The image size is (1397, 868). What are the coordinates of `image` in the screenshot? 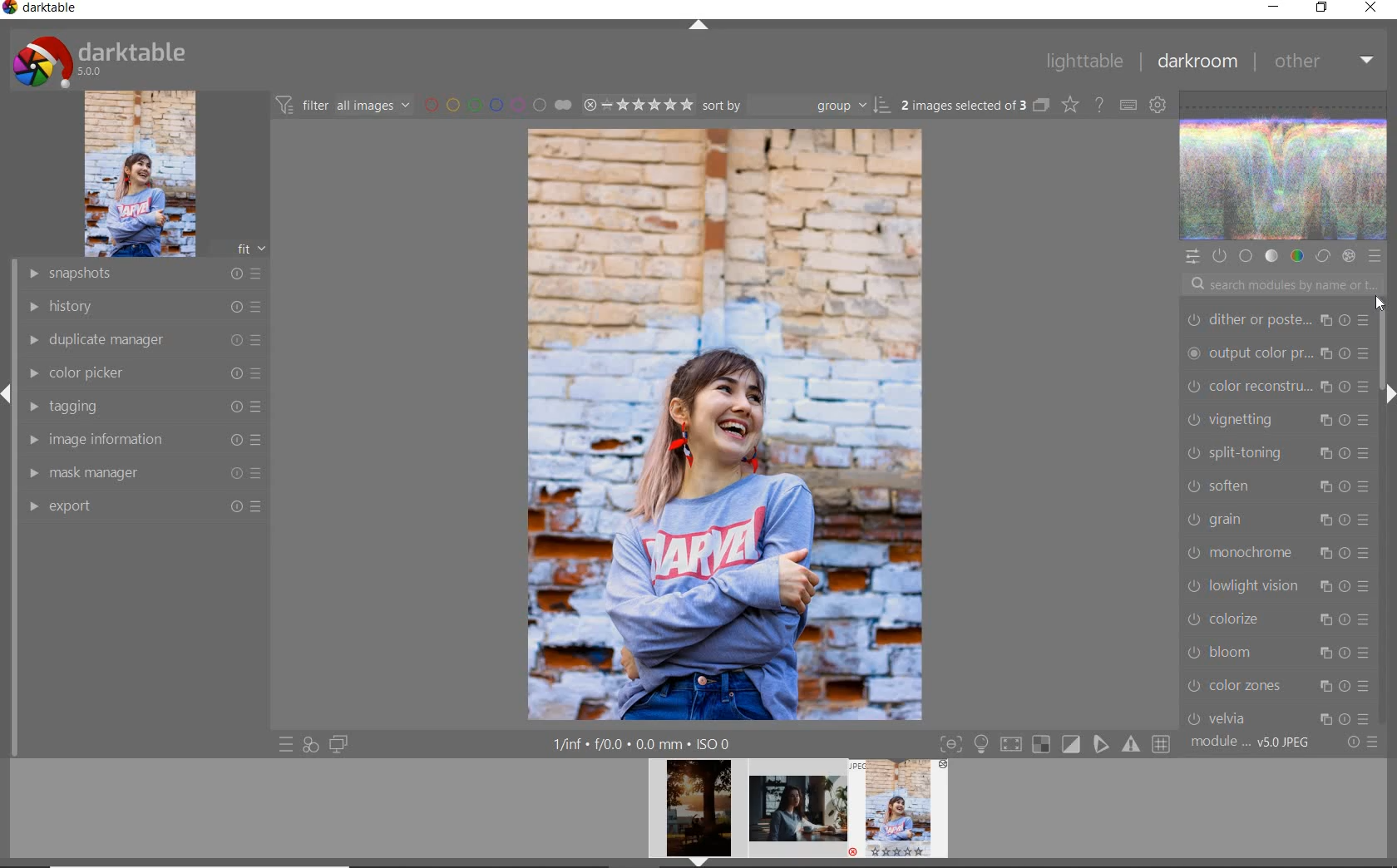 It's located at (140, 174).